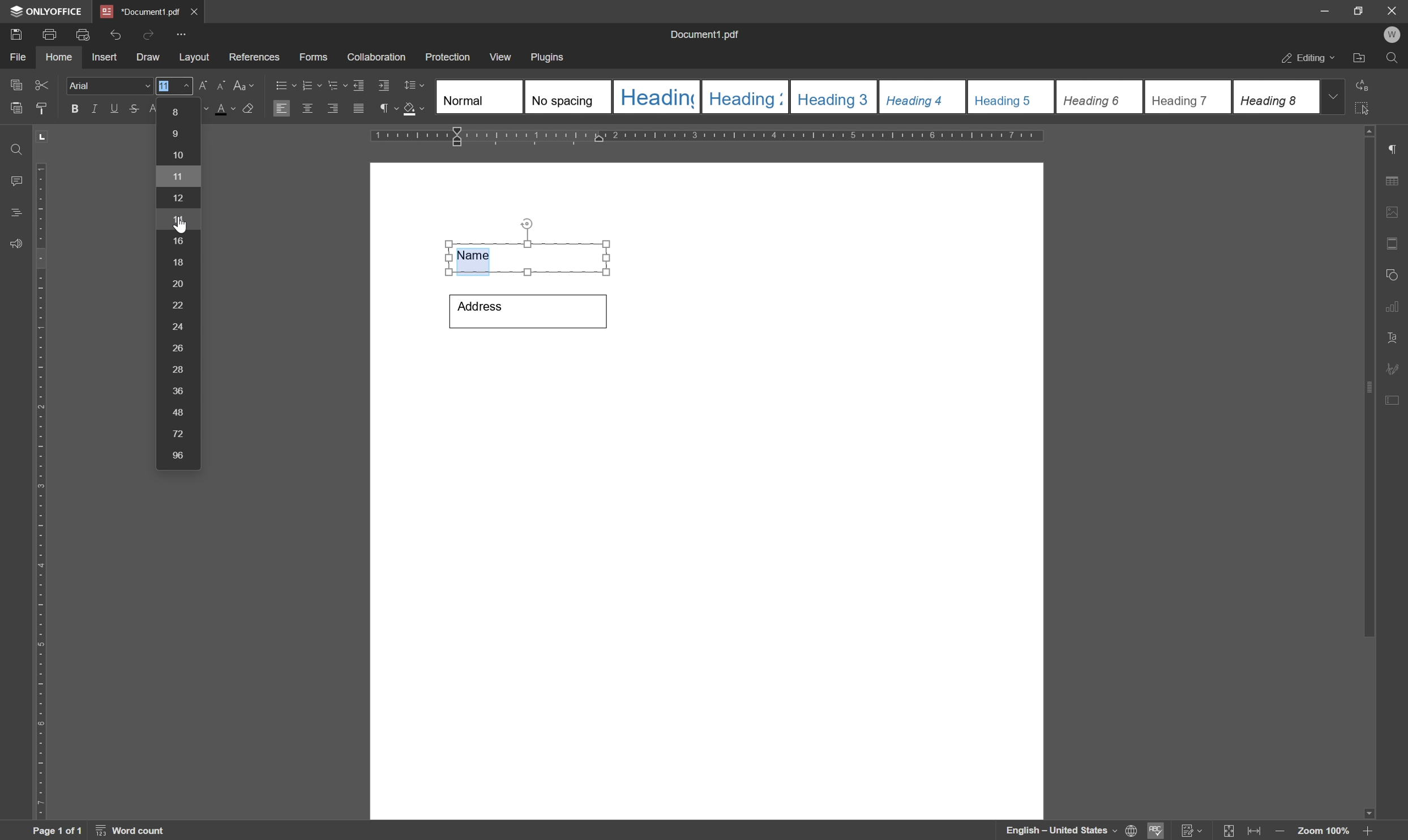  Describe the element at coordinates (314, 58) in the screenshot. I see `forms` at that location.